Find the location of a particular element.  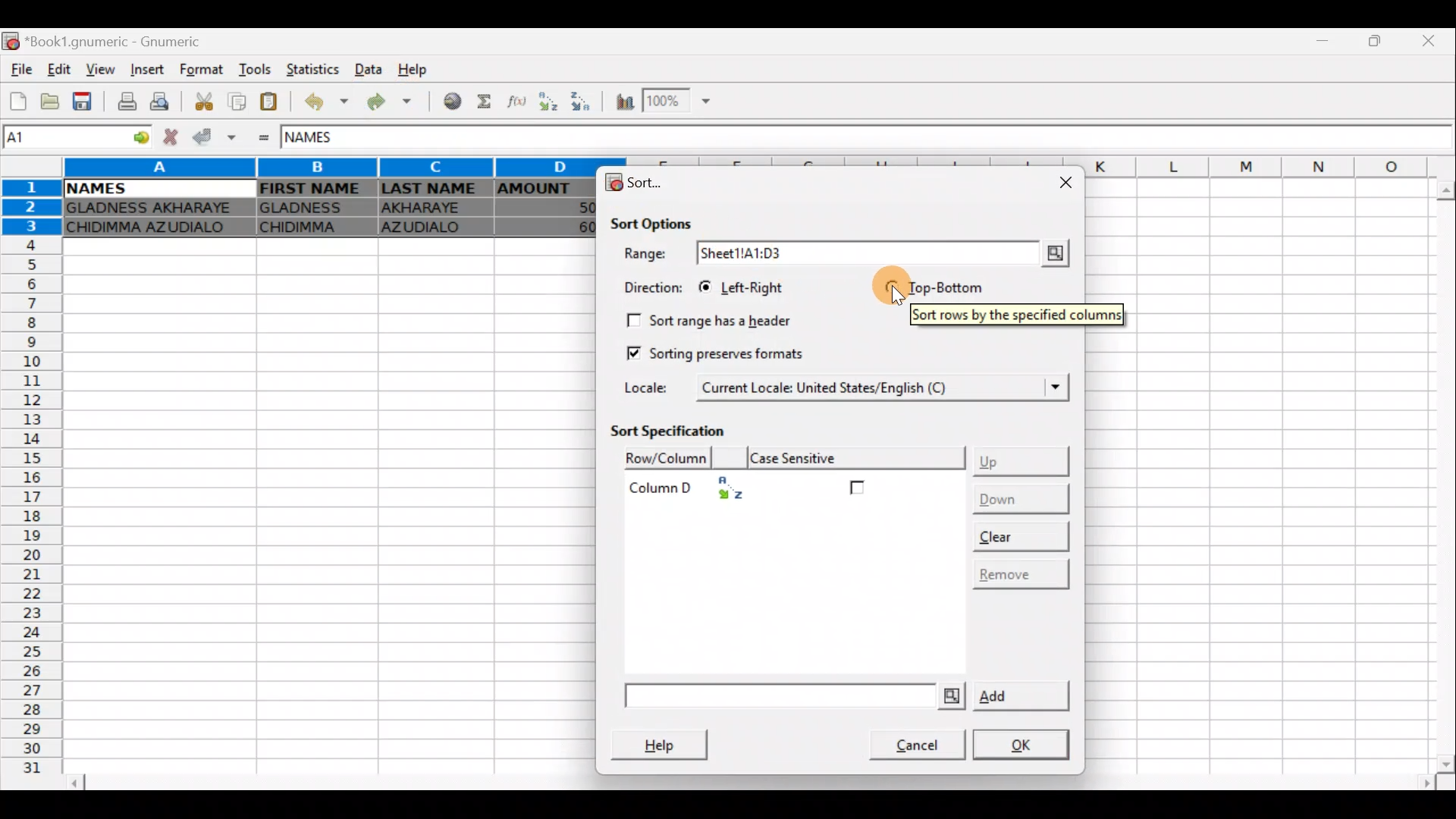

Cells is located at coordinates (322, 508).